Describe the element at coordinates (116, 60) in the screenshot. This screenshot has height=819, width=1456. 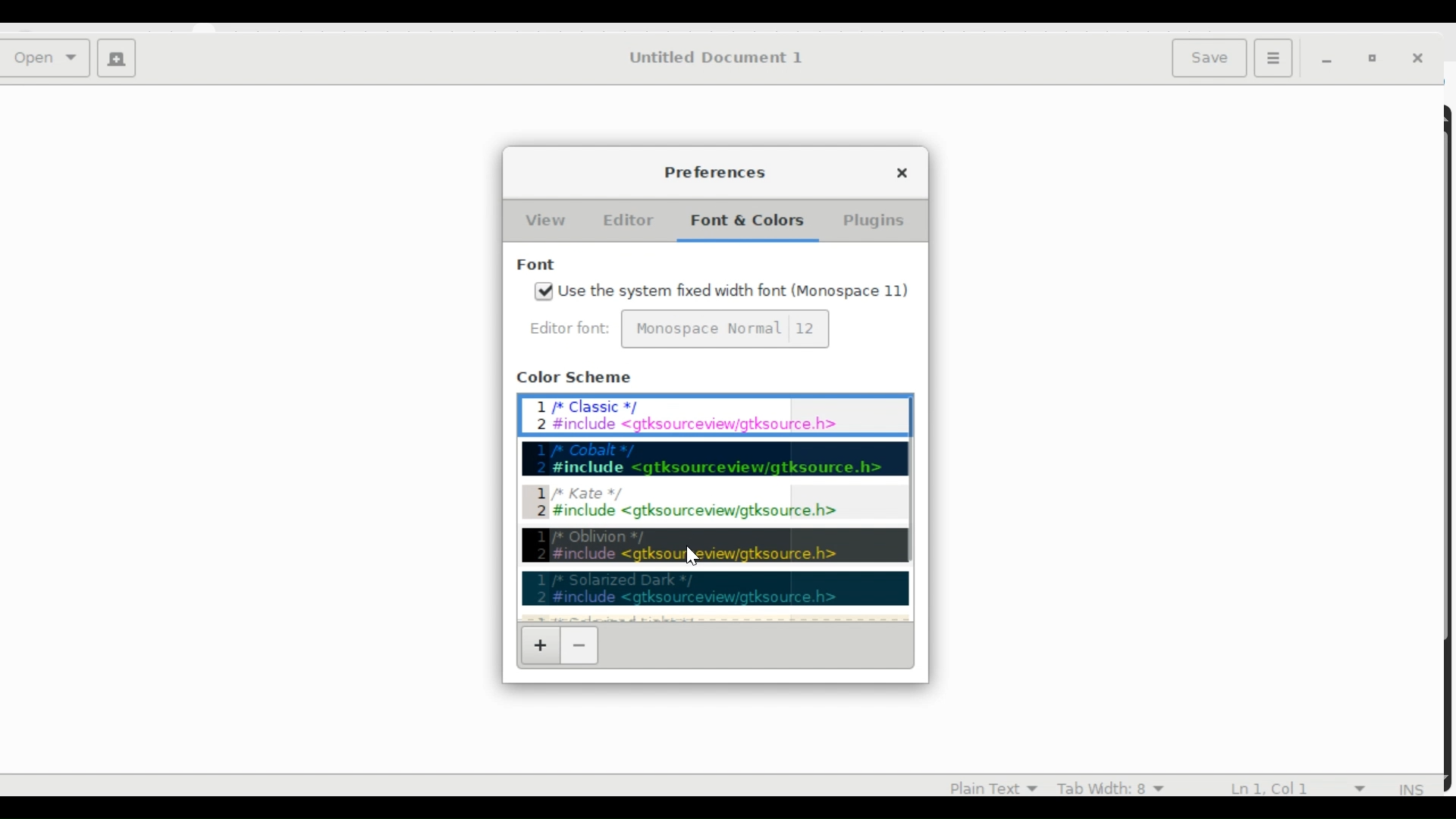
I see `Create a new Document` at that location.